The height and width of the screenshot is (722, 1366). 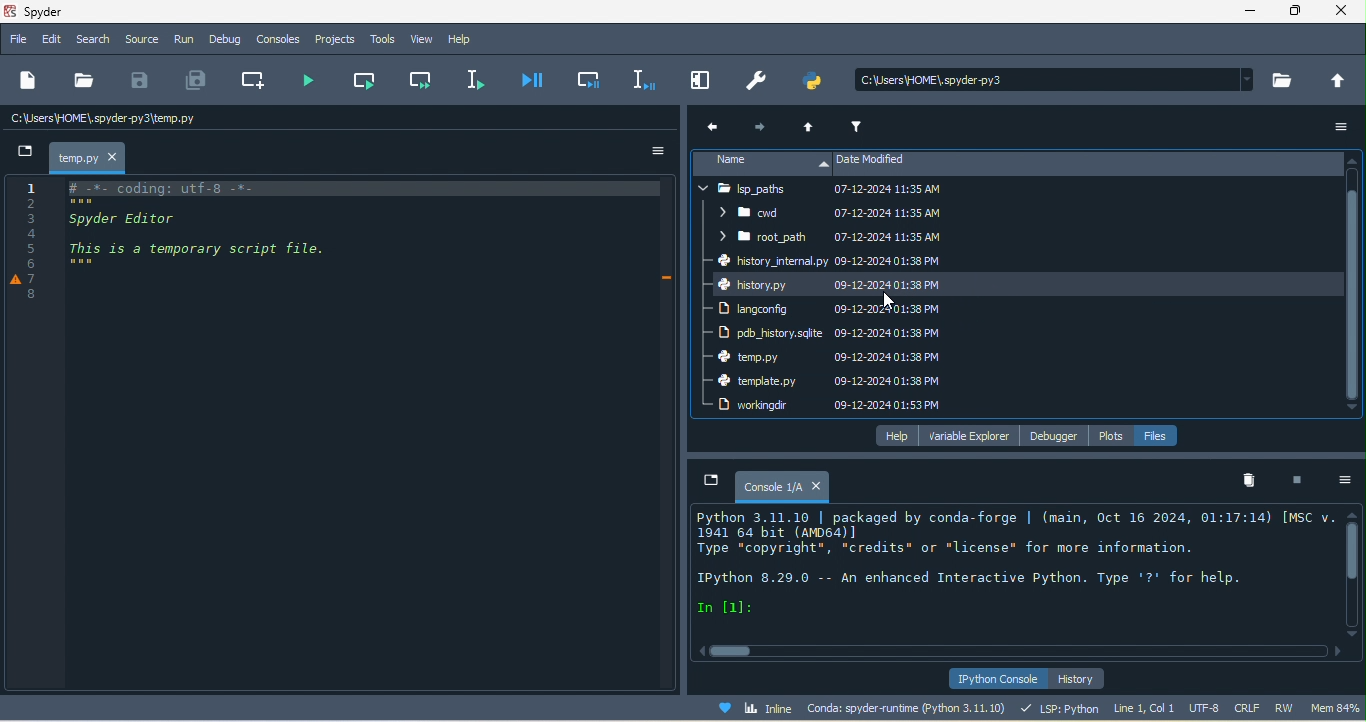 I want to click on run current cell and go to the next one, so click(x=425, y=79).